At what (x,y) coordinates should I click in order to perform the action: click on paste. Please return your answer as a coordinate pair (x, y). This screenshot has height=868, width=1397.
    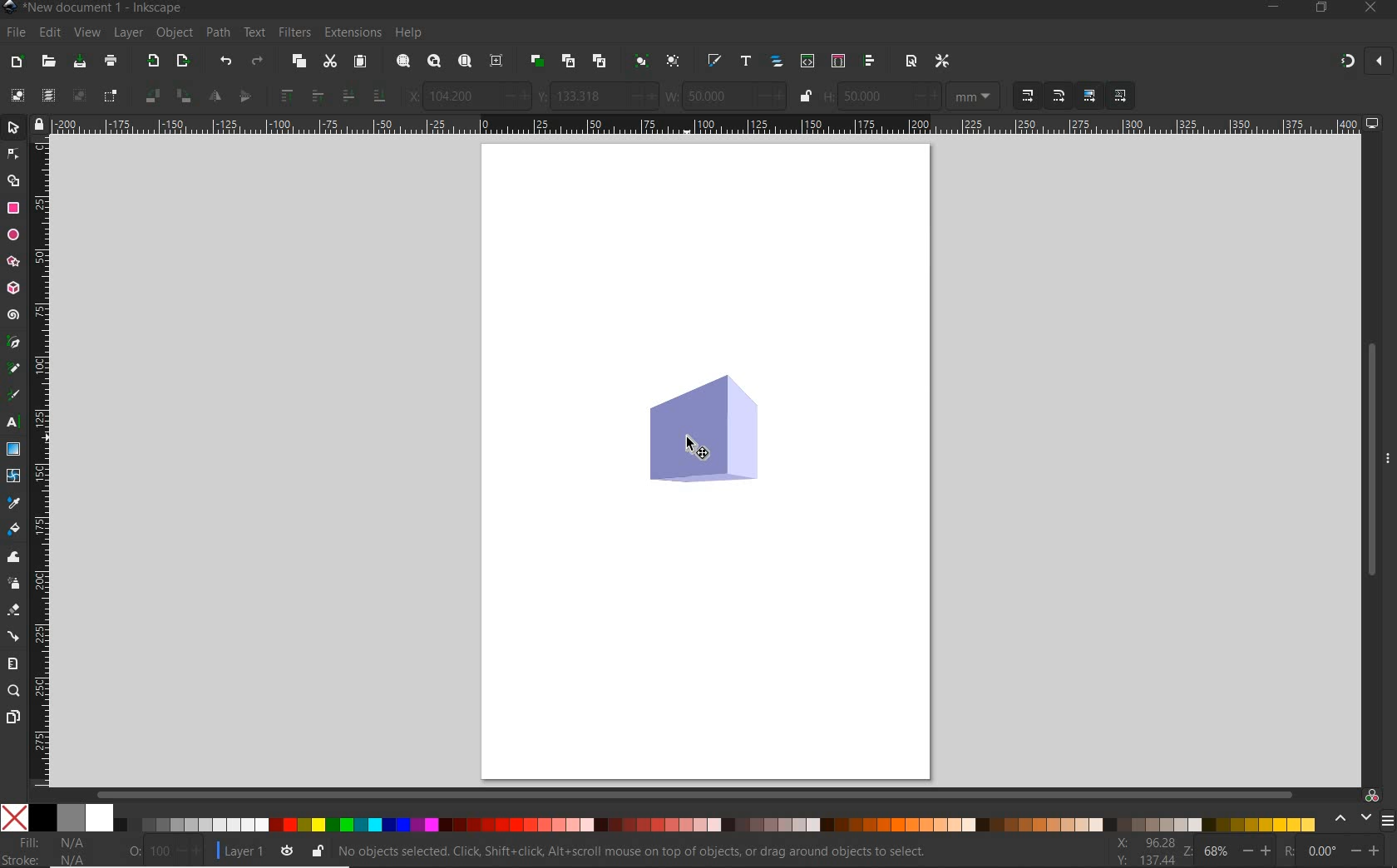
    Looking at the image, I should click on (360, 62).